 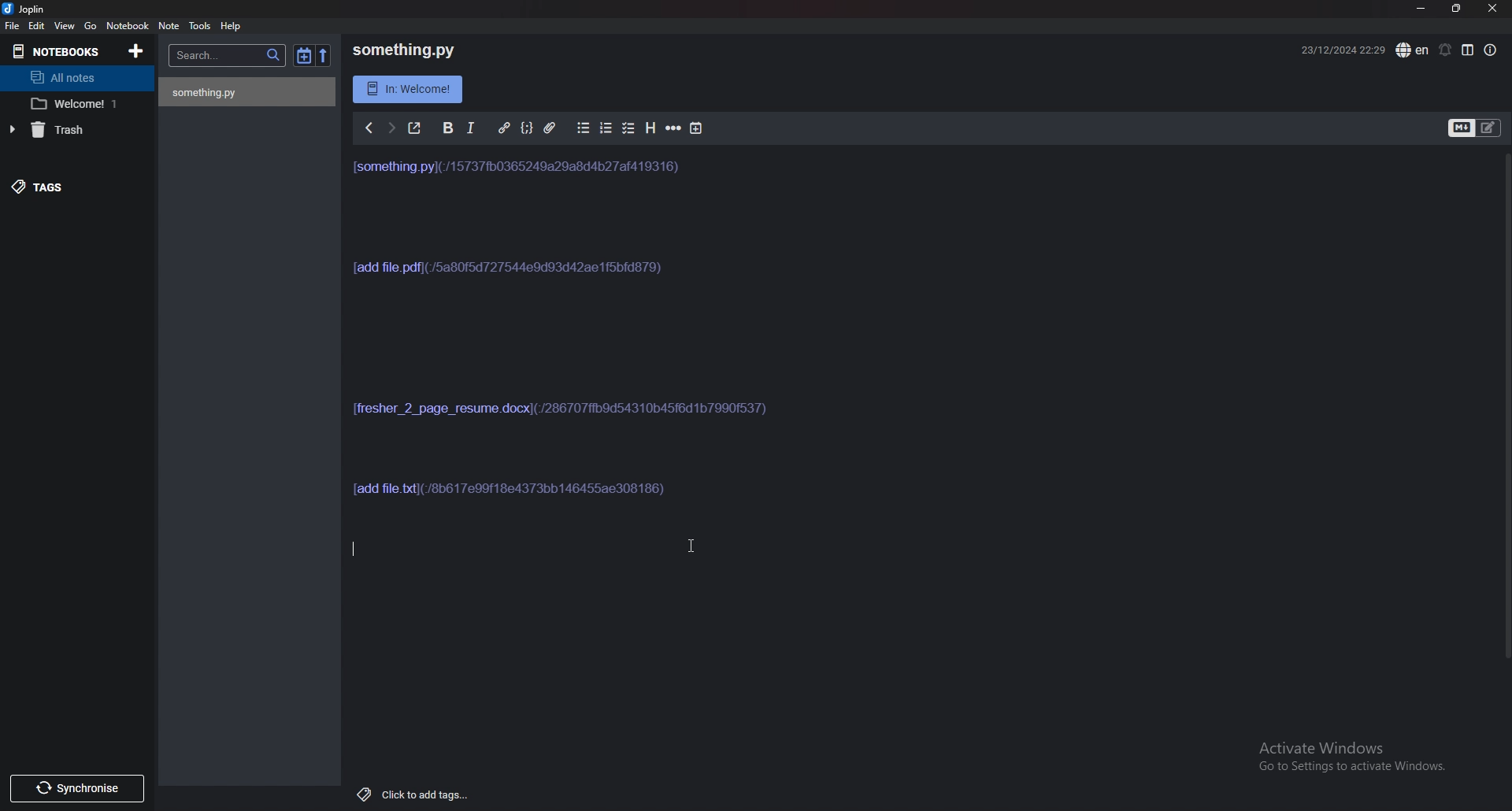 I want to click on Bullet list, so click(x=584, y=129).